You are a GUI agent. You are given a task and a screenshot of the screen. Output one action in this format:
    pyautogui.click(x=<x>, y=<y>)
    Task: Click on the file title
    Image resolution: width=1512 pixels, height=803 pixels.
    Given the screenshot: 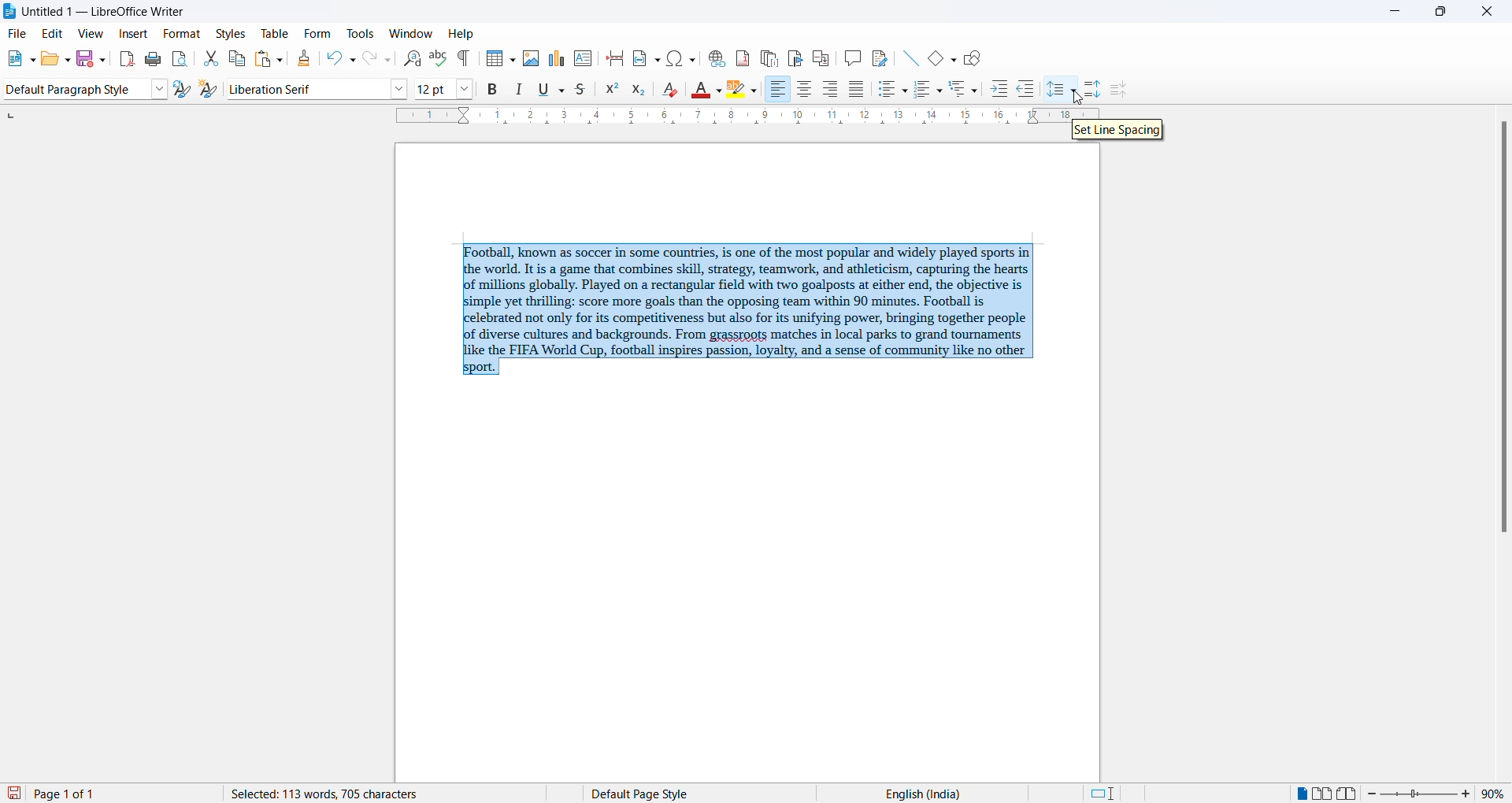 What is the action you would take?
    pyautogui.click(x=102, y=13)
    